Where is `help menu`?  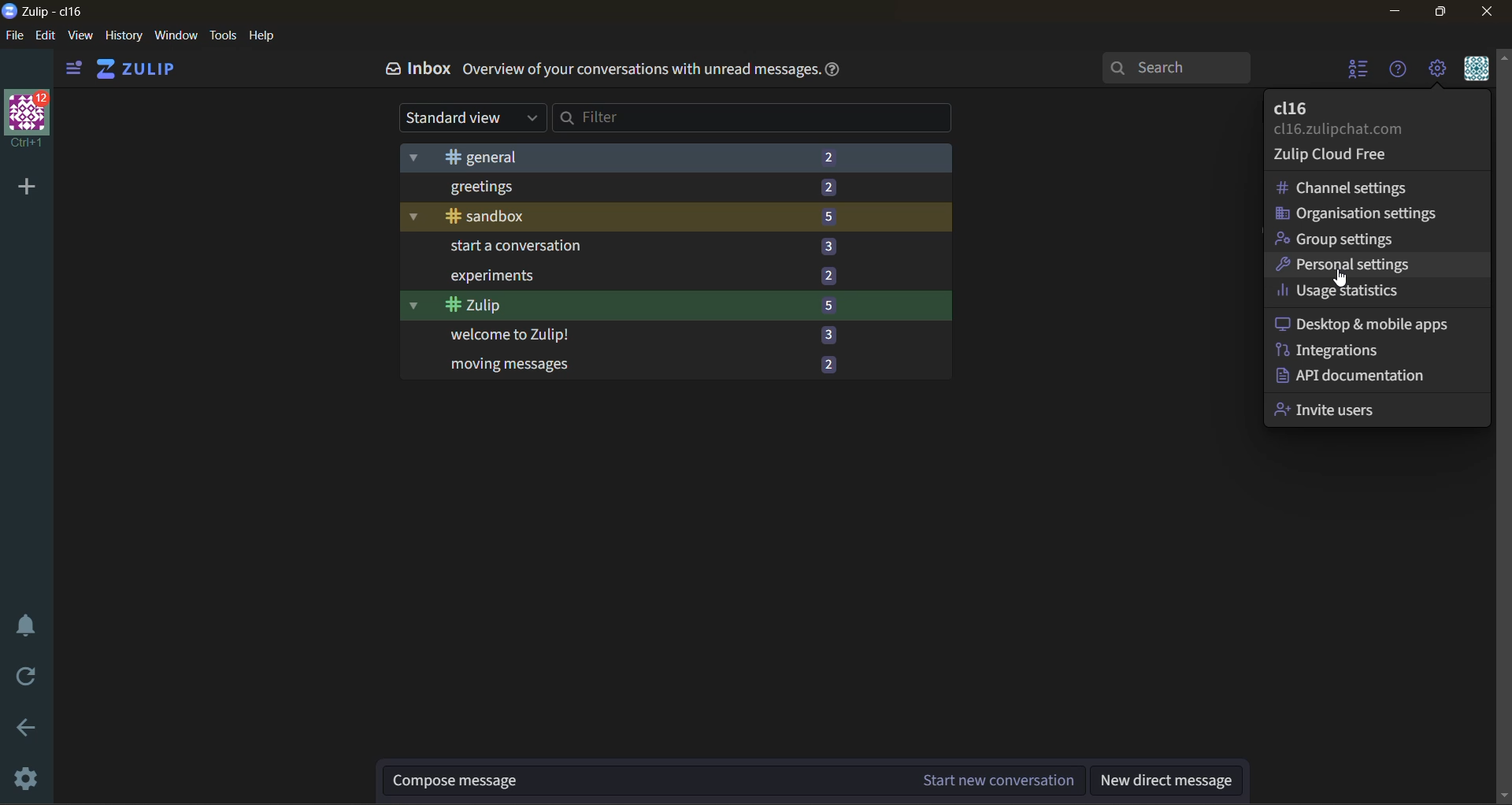 help menu is located at coordinates (1403, 76).